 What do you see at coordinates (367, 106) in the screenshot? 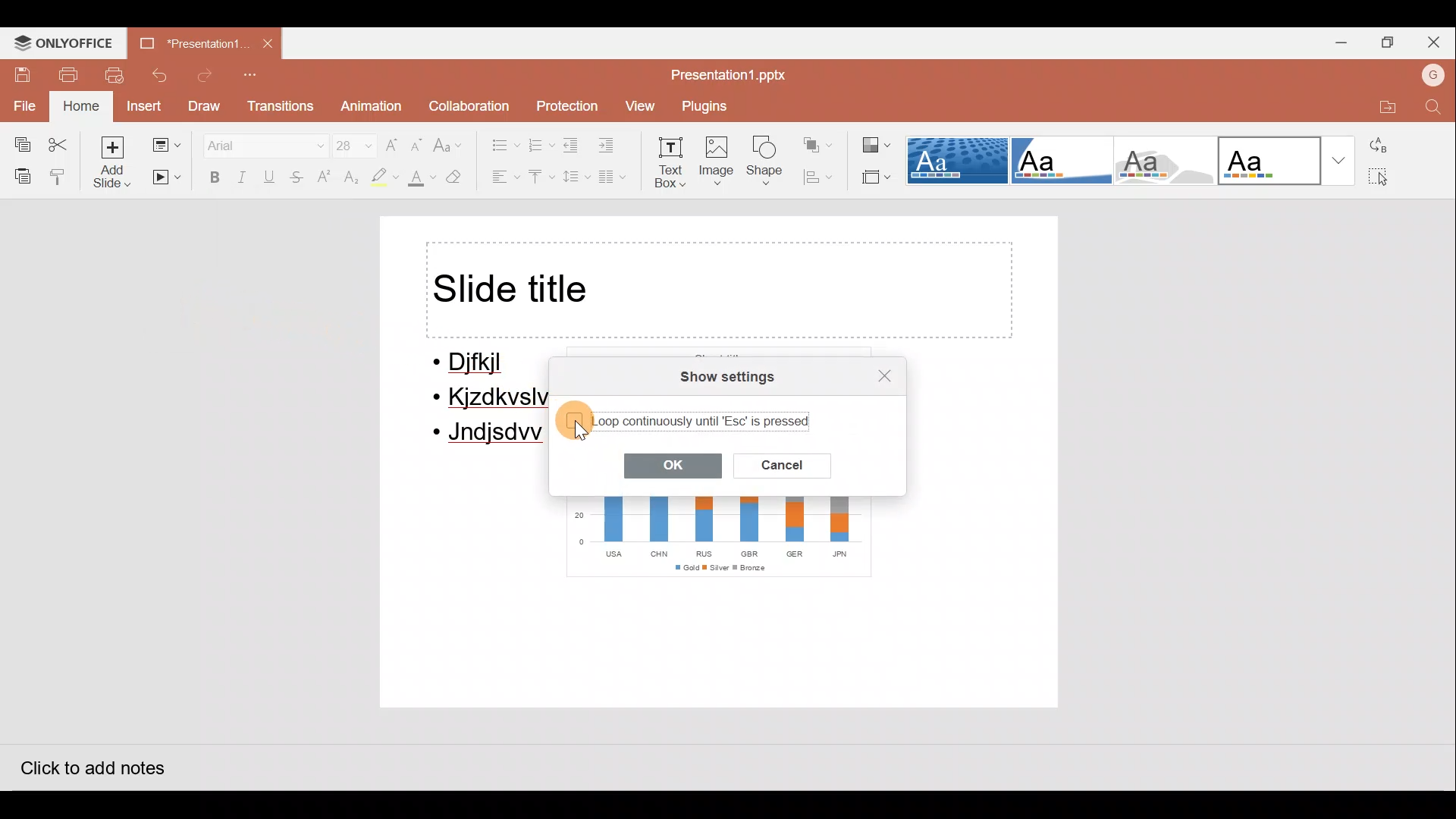
I see `Animation` at bounding box center [367, 106].